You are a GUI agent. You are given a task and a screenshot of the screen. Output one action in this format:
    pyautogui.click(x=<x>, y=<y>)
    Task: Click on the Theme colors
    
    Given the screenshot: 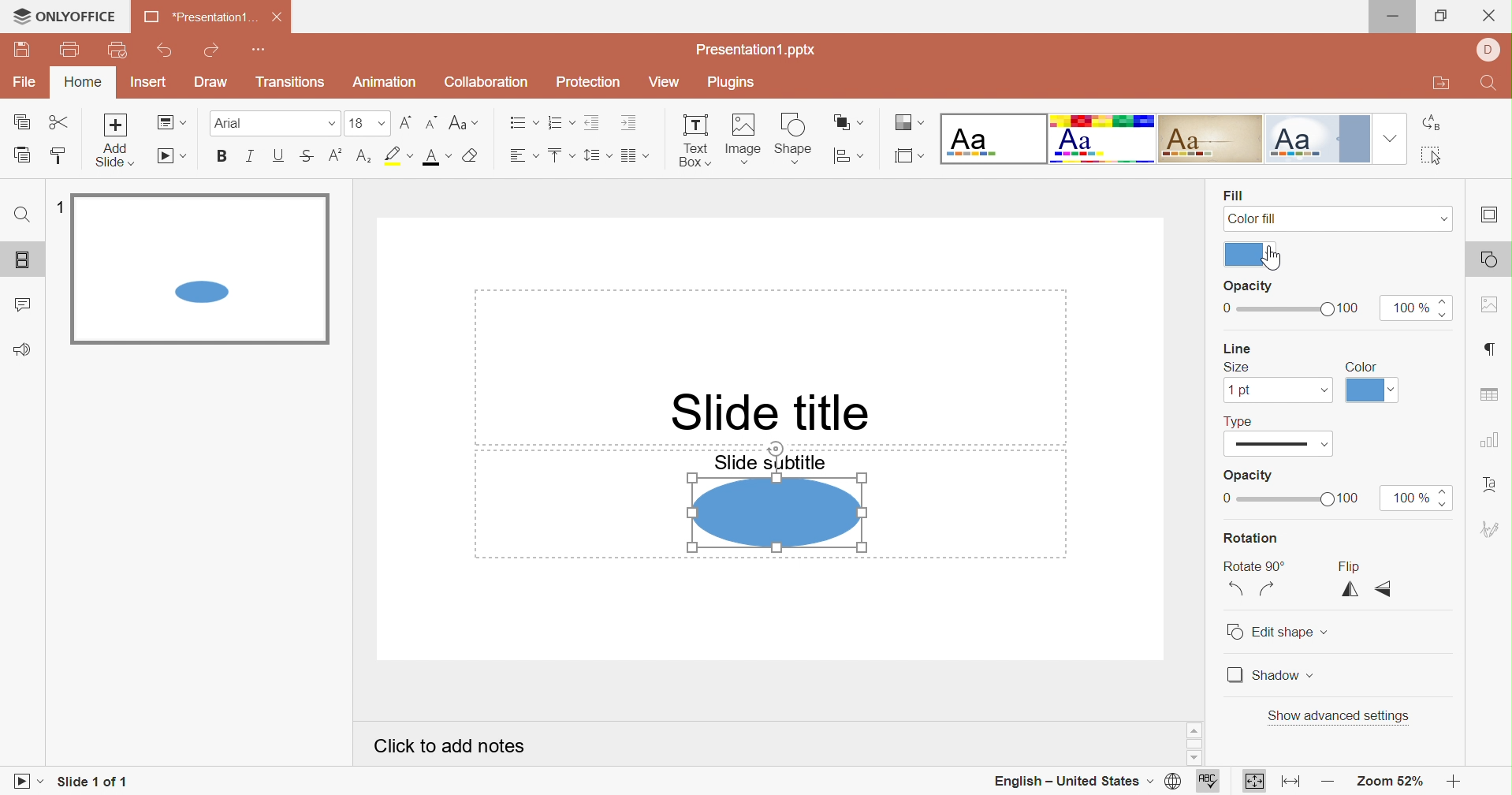 What is the action you would take?
    pyautogui.click(x=1253, y=254)
    